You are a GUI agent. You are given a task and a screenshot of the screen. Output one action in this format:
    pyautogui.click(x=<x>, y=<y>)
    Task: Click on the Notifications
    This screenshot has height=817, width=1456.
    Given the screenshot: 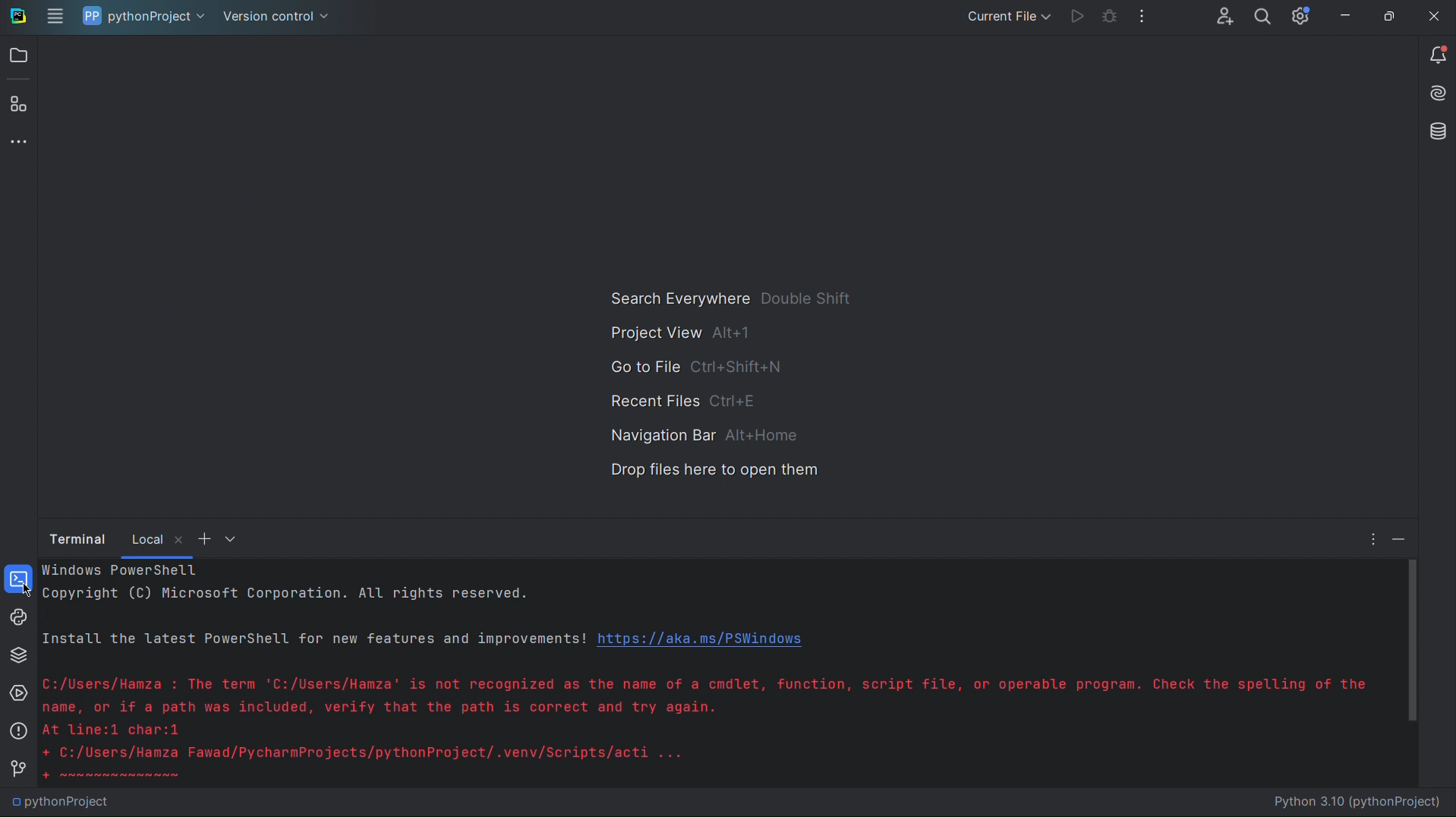 What is the action you would take?
    pyautogui.click(x=1435, y=52)
    